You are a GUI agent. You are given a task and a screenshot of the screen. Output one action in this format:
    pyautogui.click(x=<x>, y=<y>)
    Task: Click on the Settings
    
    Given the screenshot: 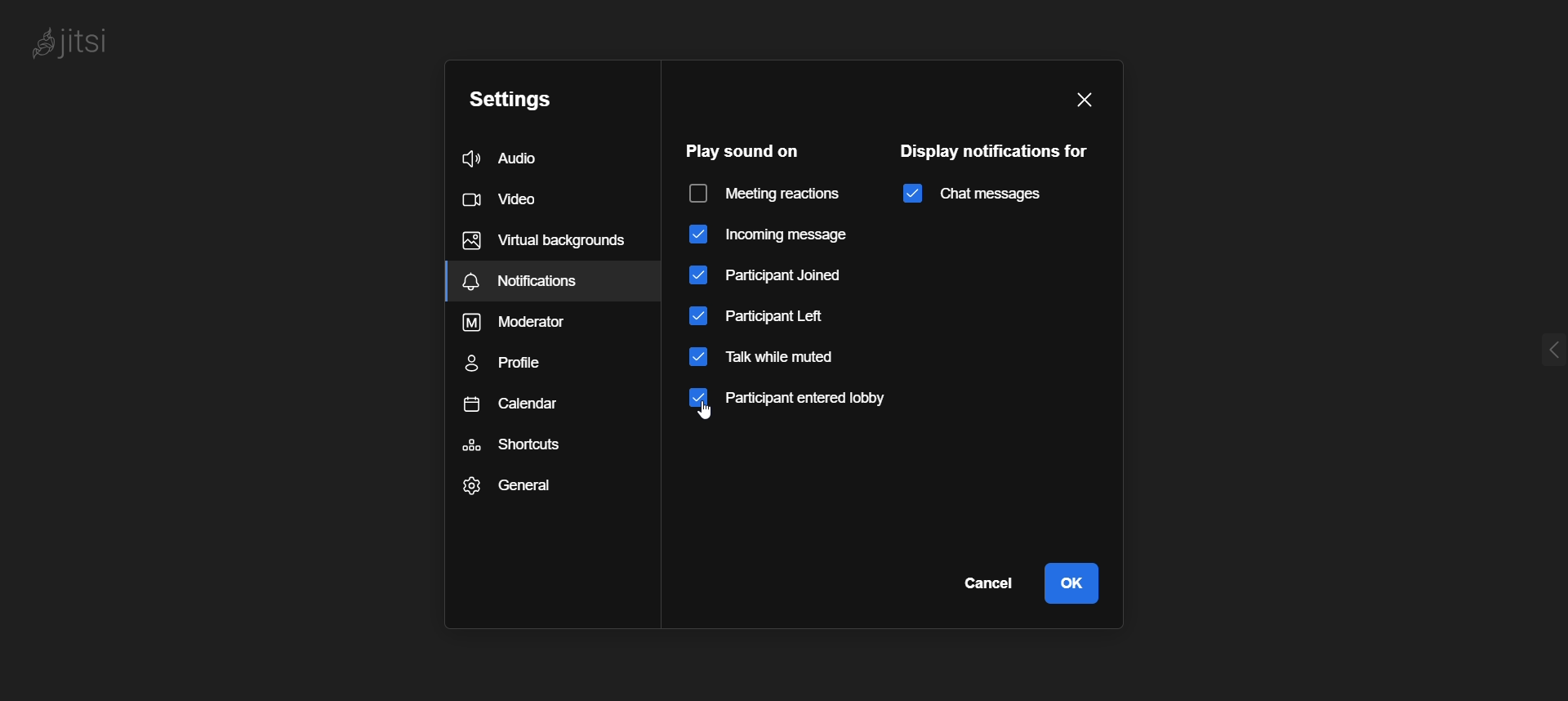 What is the action you would take?
    pyautogui.click(x=539, y=103)
    